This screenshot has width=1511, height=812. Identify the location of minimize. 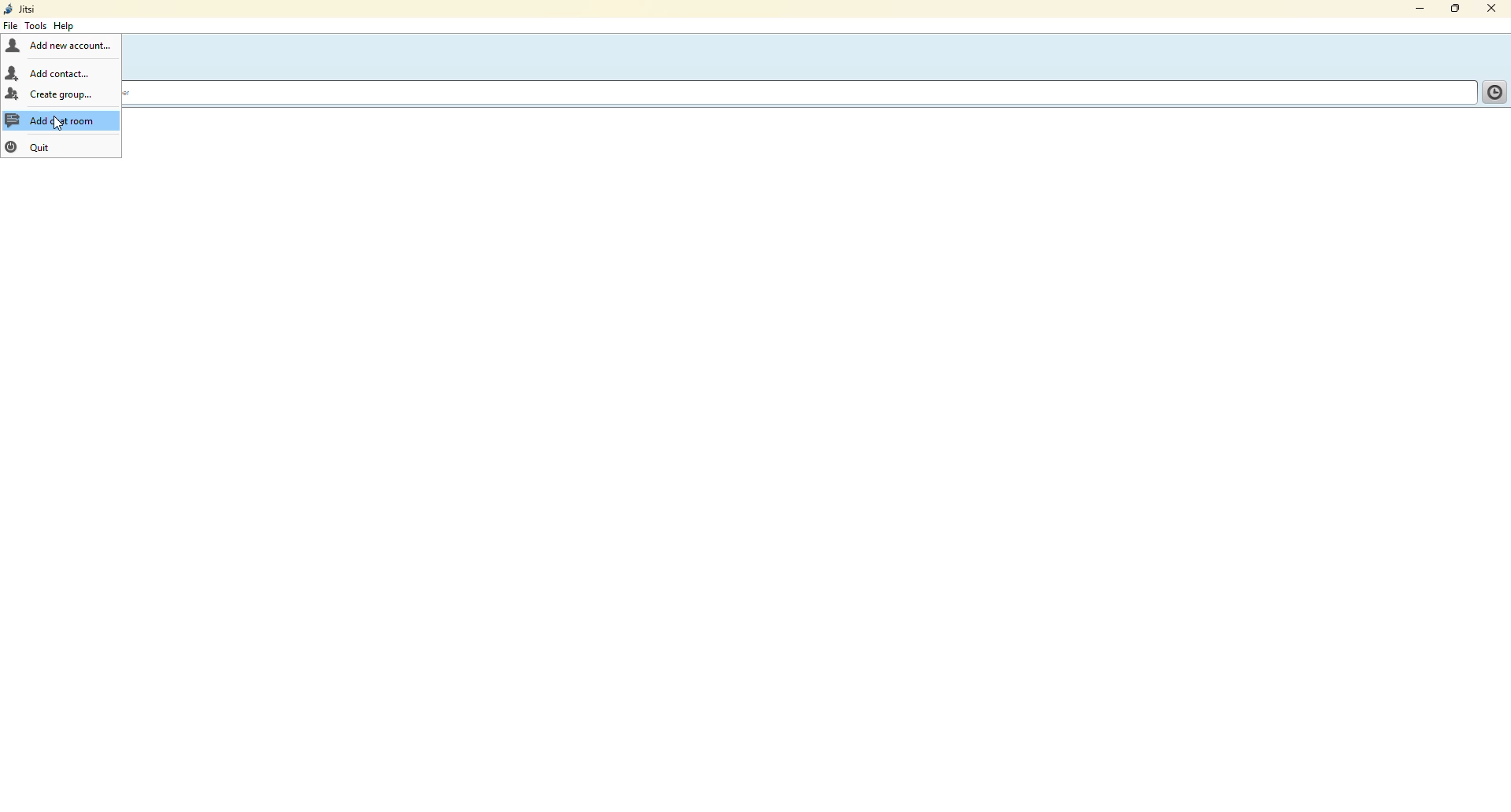
(1413, 10).